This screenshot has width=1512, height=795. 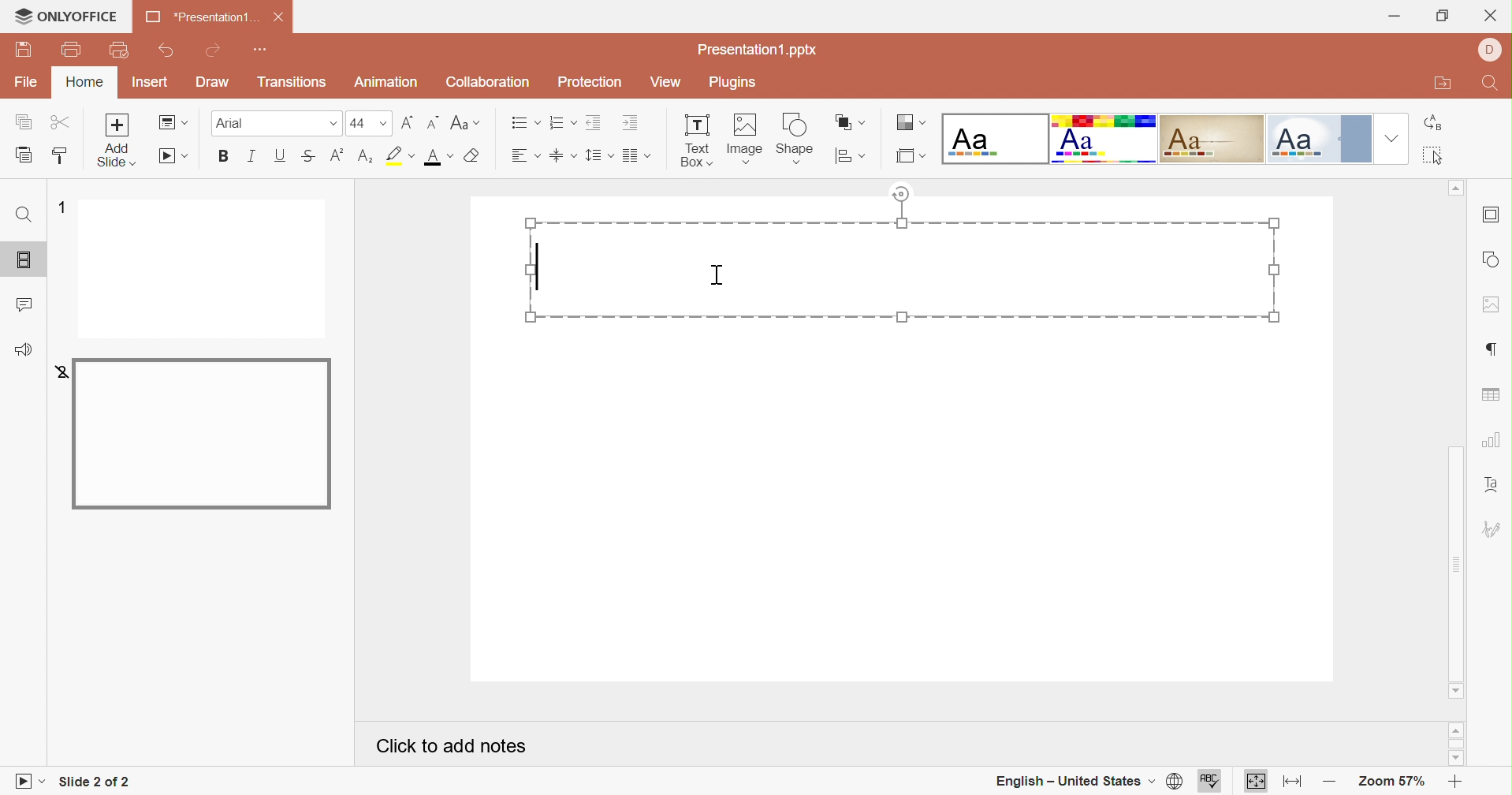 I want to click on ONLYOFFICE, so click(x=66, y=16).